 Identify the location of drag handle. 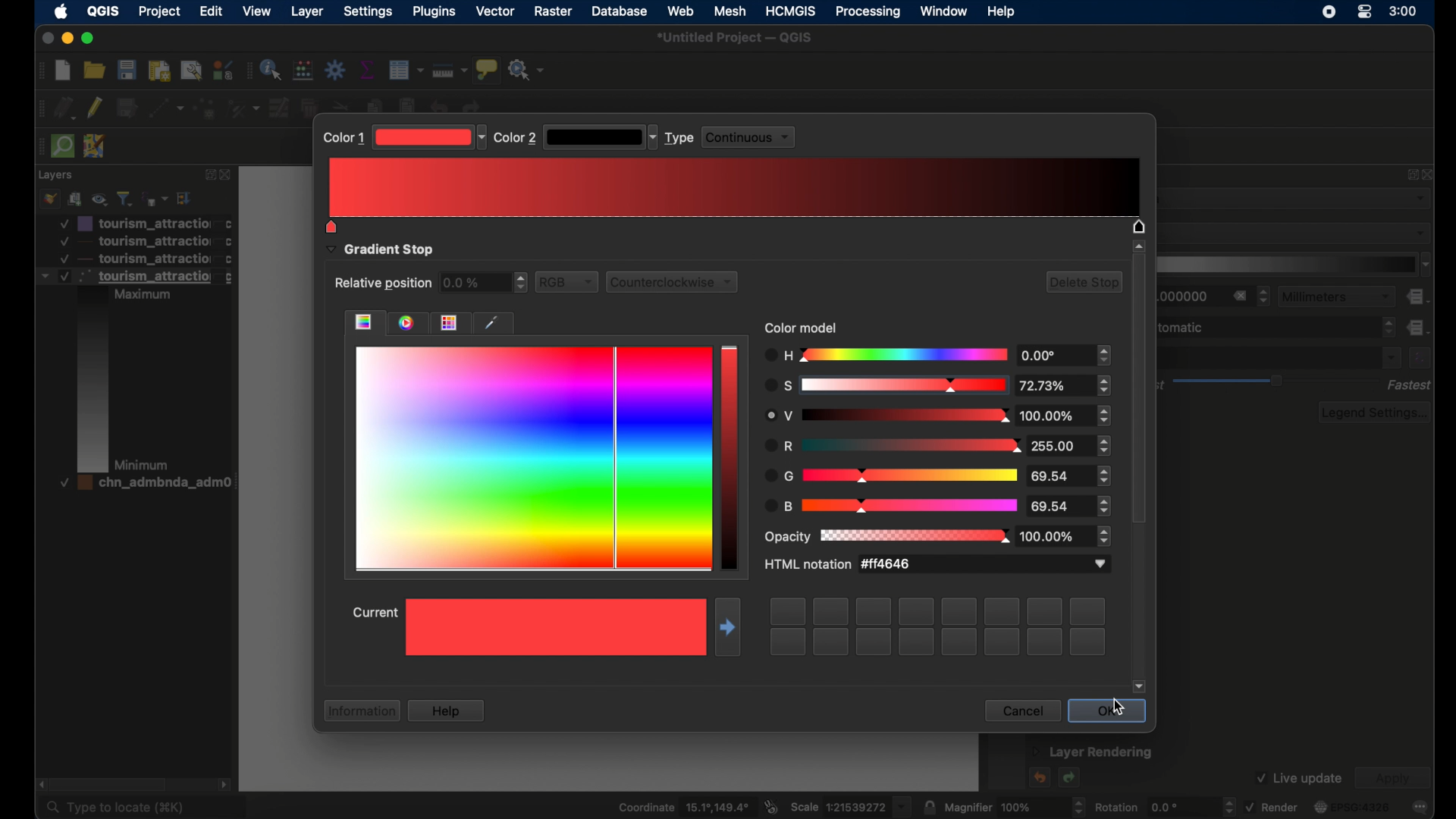
(36, 146).